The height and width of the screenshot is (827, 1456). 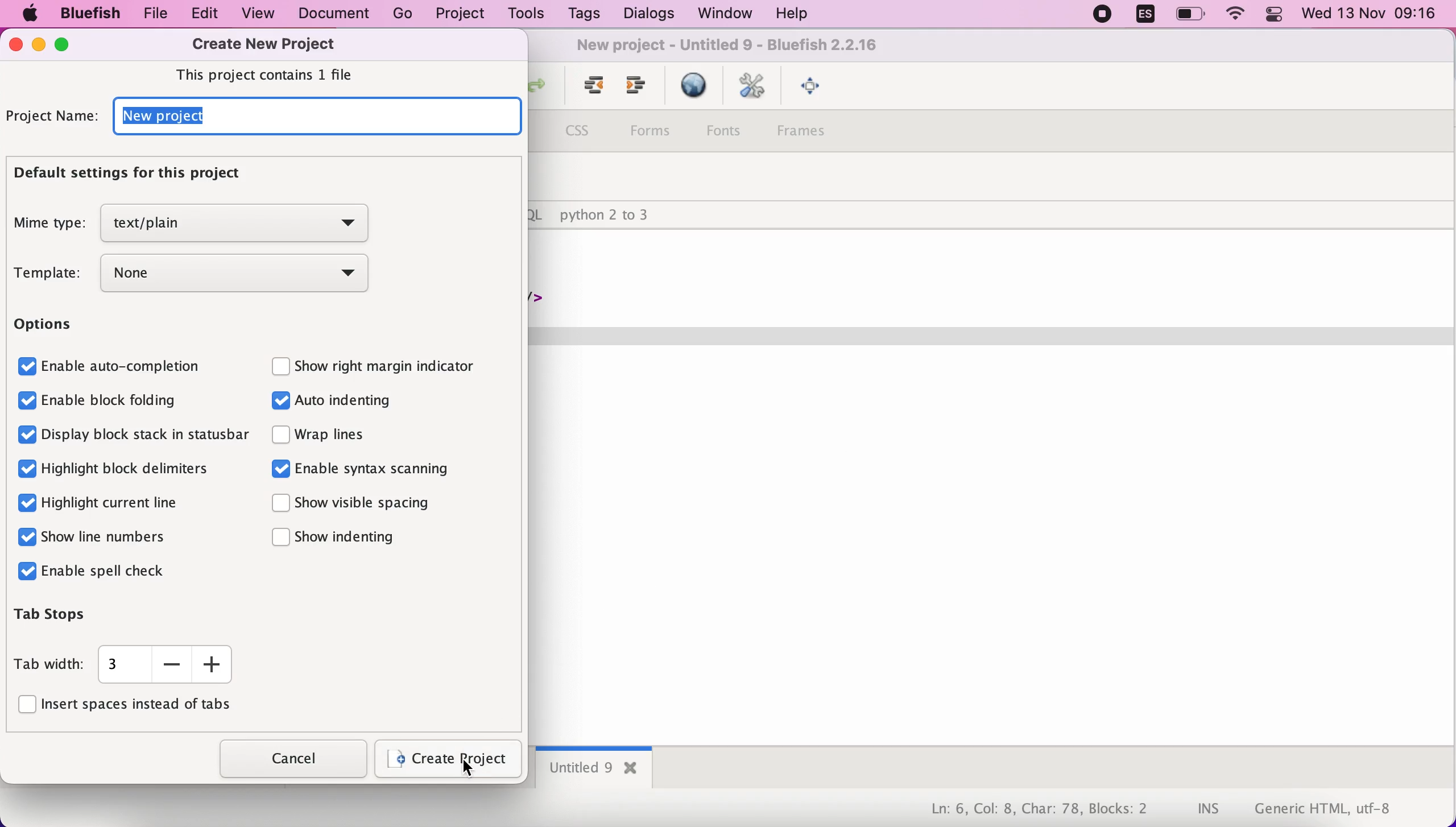 What do you see at coordinates (1139, 16) in the screenshot?
I see `language` at bounding box center [1139, 16].